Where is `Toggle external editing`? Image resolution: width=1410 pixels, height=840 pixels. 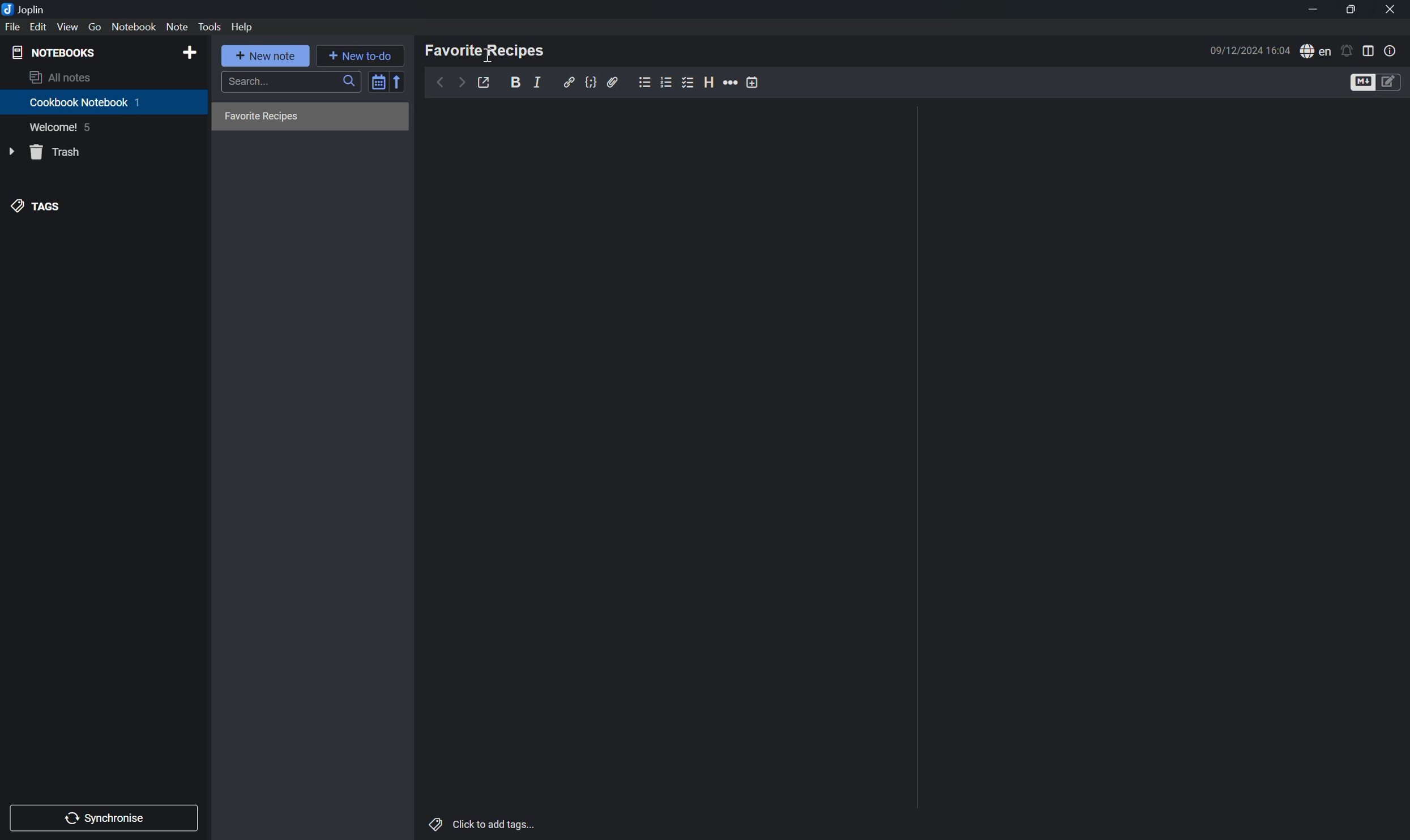
Toggle external editing is located at coordinates (486, 82).